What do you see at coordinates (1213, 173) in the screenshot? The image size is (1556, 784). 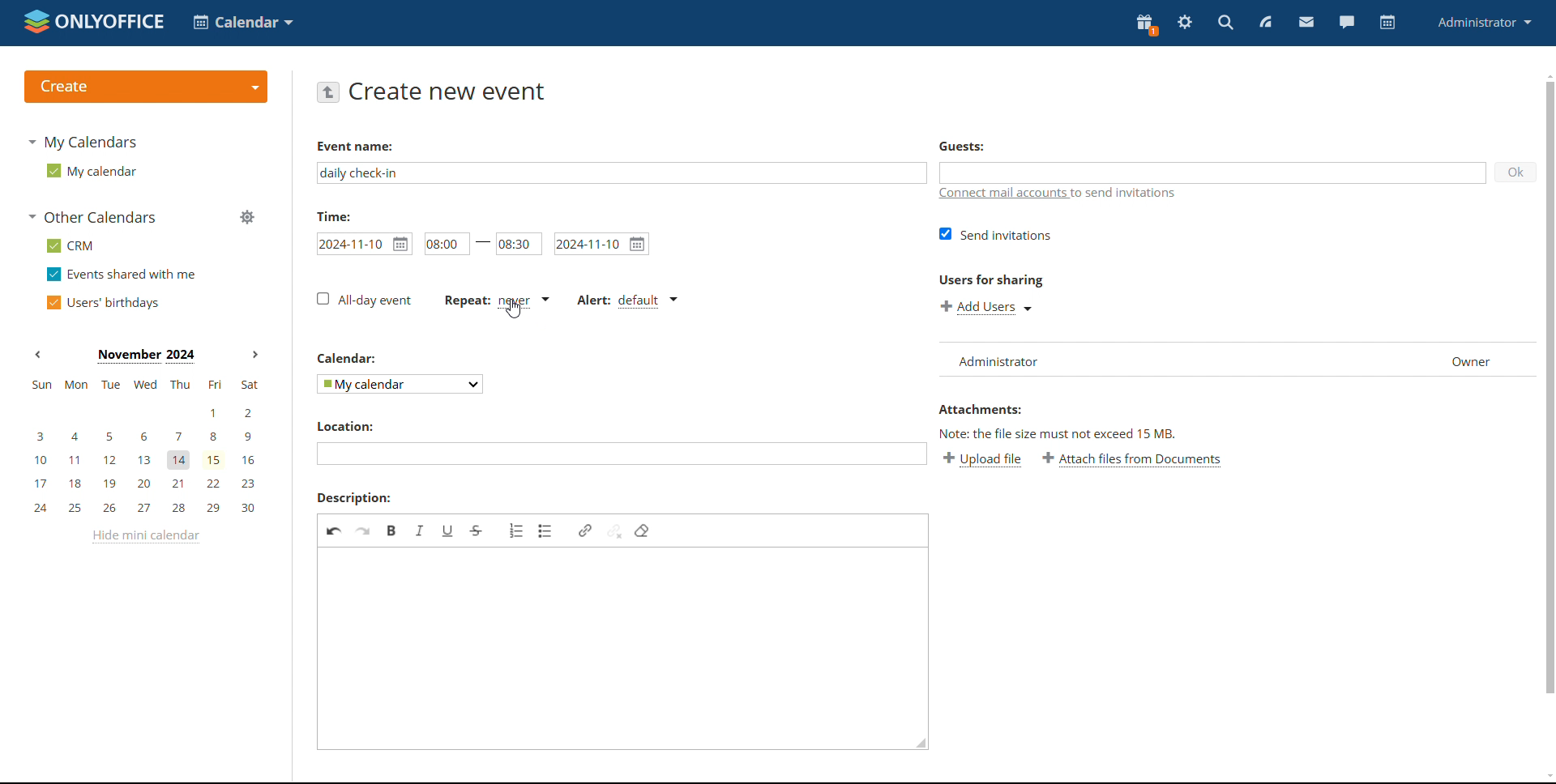 I see `add guests` at bounding box center [1213, 173].